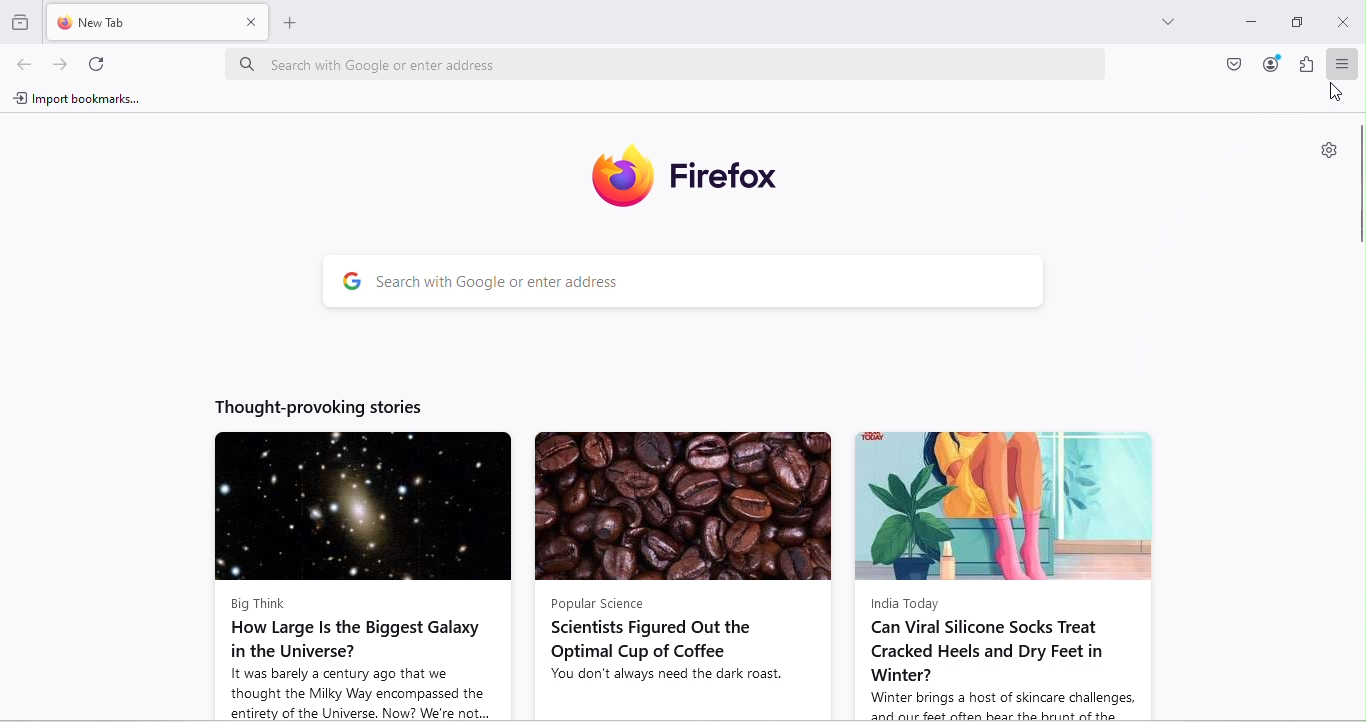 This screenshot has height=722, width=1366. Describe the element at coordinates (25, 64) in the screenshot. I see `Go back one page` at that location.